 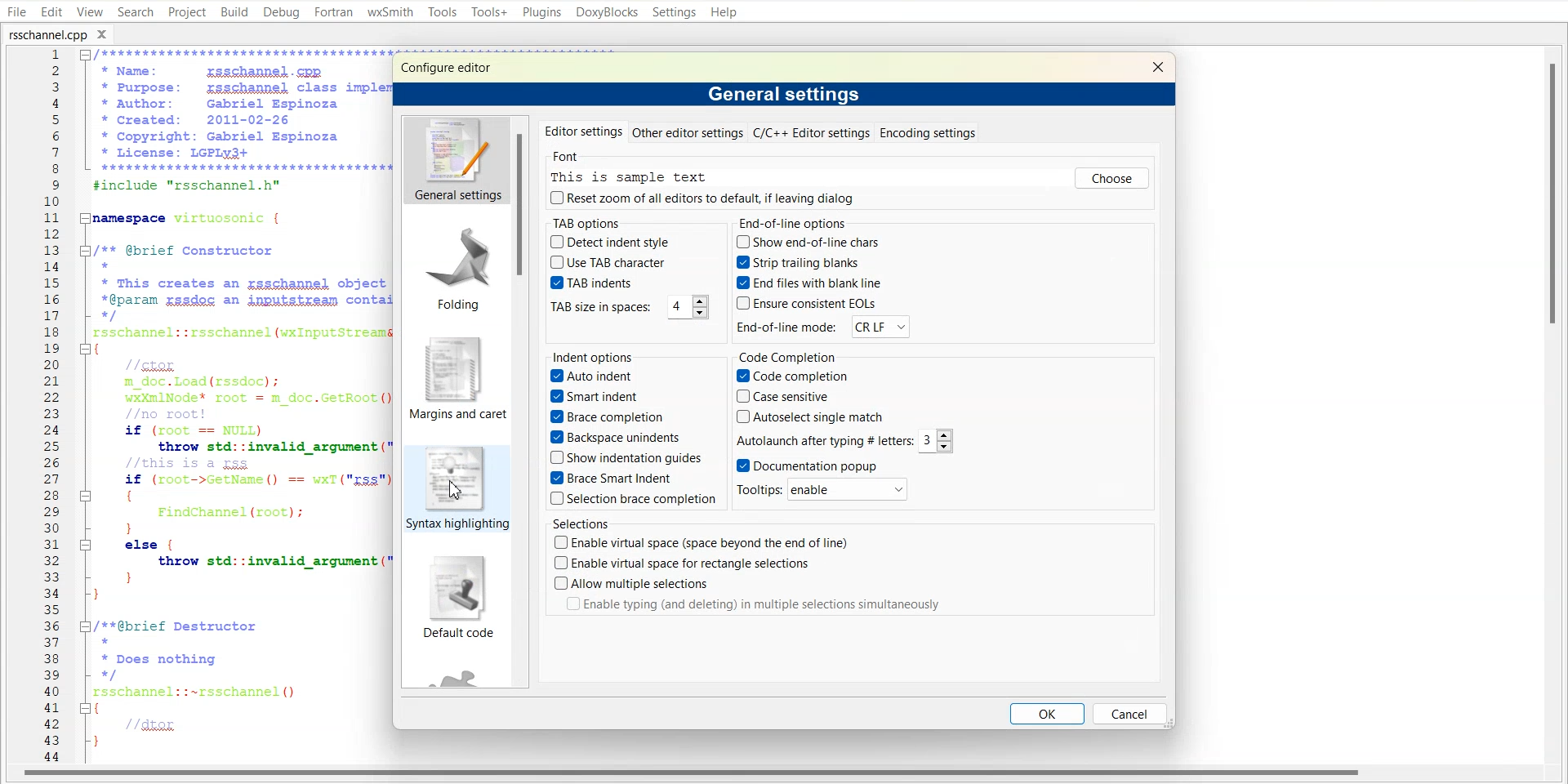 What do you see at coordinates (630, 309) in the screenshot?
I see `TAB size in spaces` at bounding box center [630, 309].